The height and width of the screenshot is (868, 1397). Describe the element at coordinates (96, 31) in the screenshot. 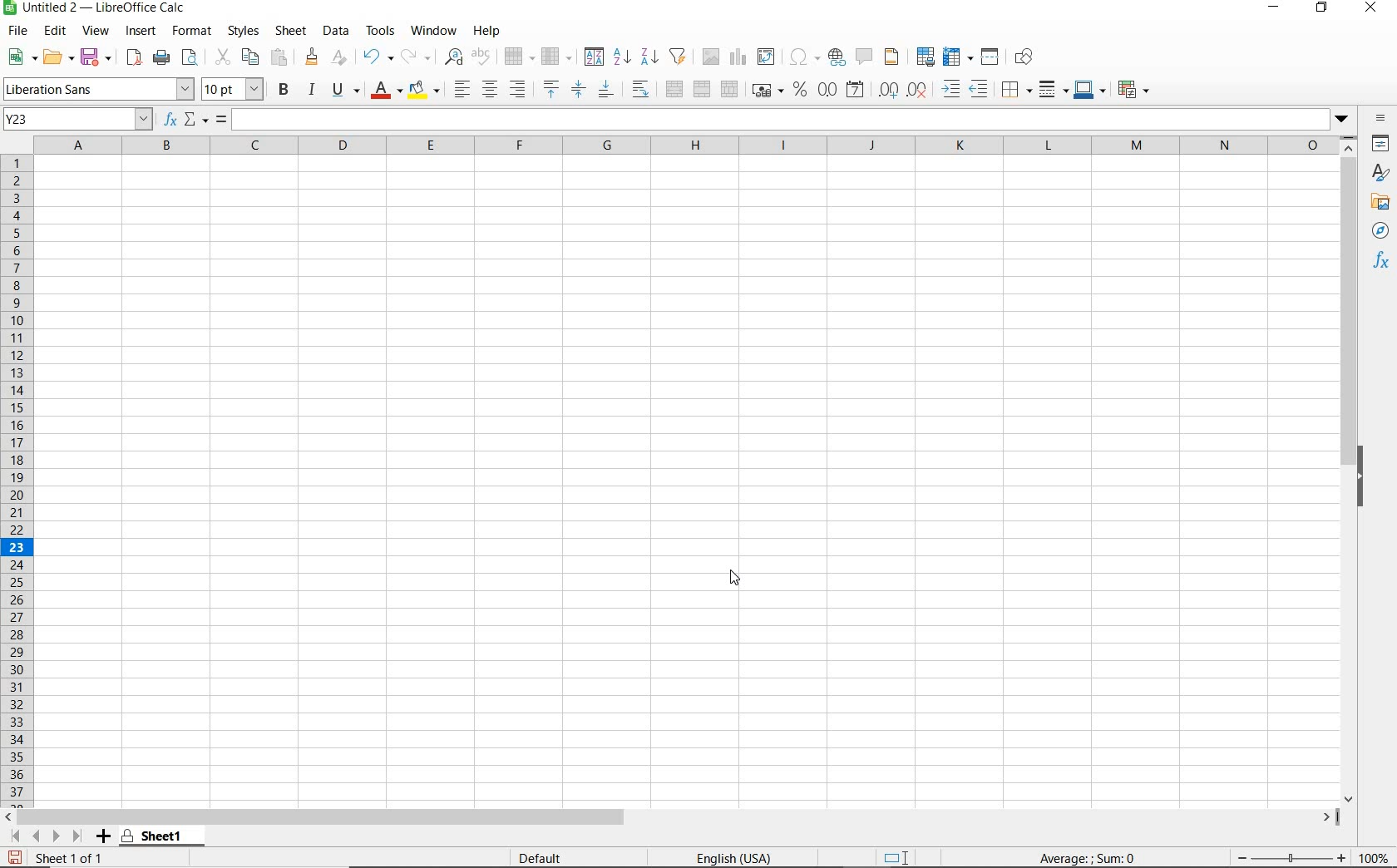

I see `VIEW` at that location.